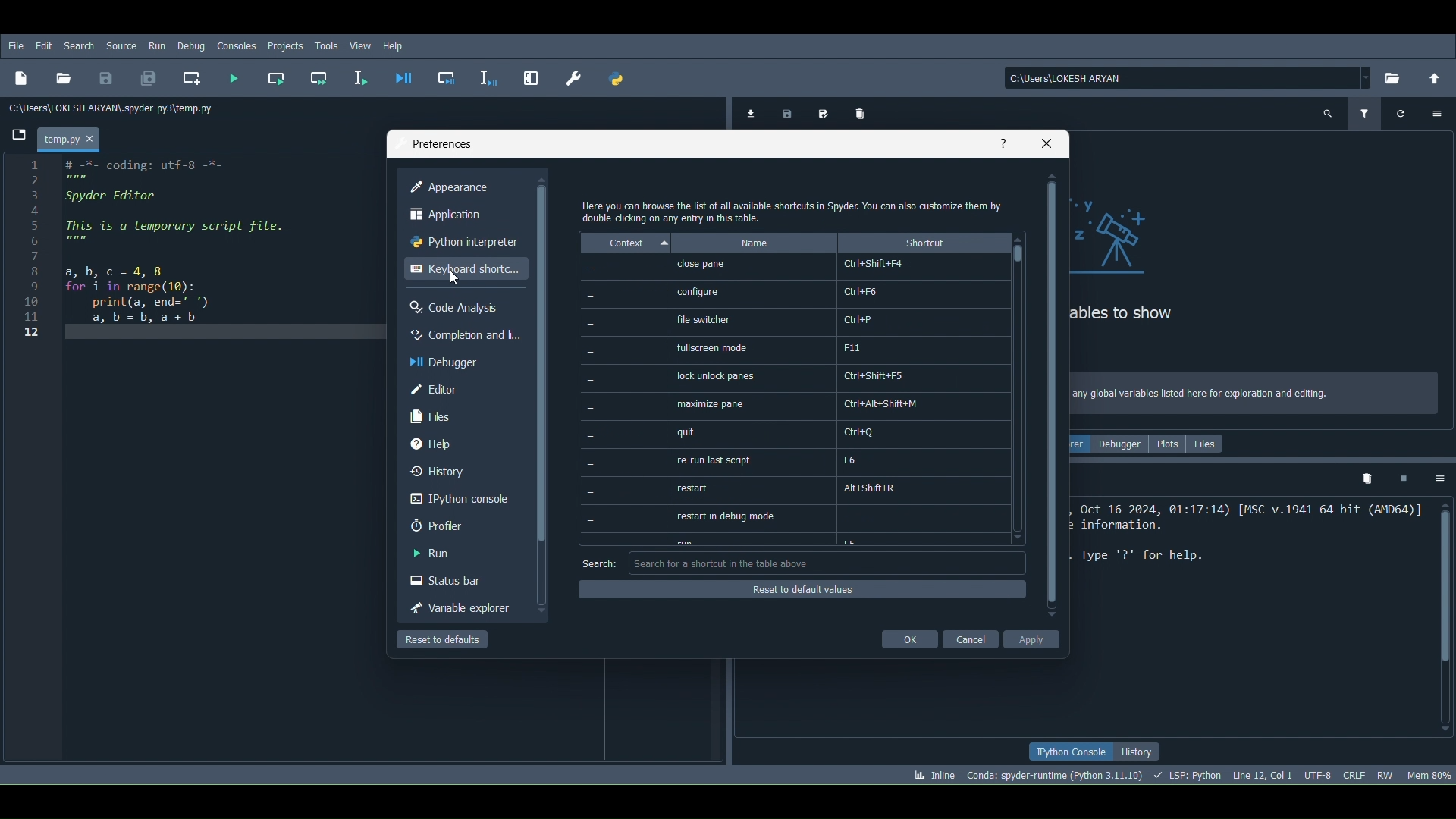  I want to click on Remove all variables, so click(867, 115).